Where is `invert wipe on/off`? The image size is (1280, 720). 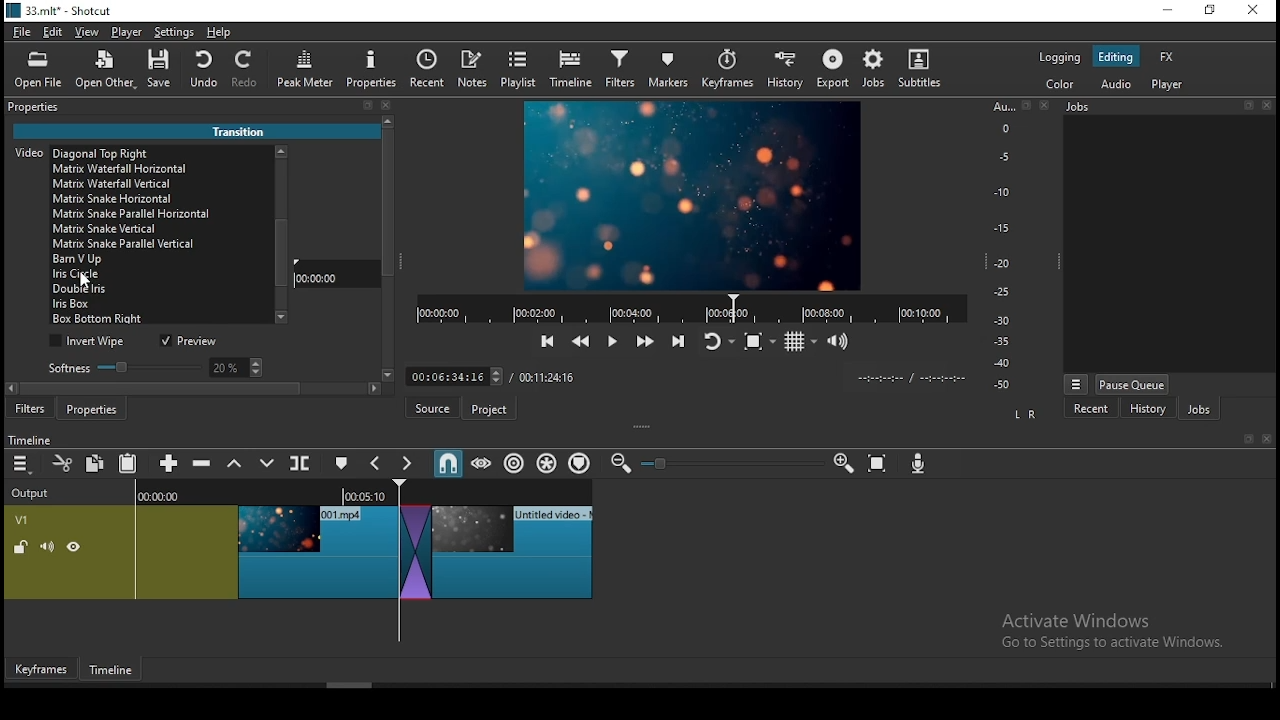
invert wipe on/off is located at coordinates (90, 342).